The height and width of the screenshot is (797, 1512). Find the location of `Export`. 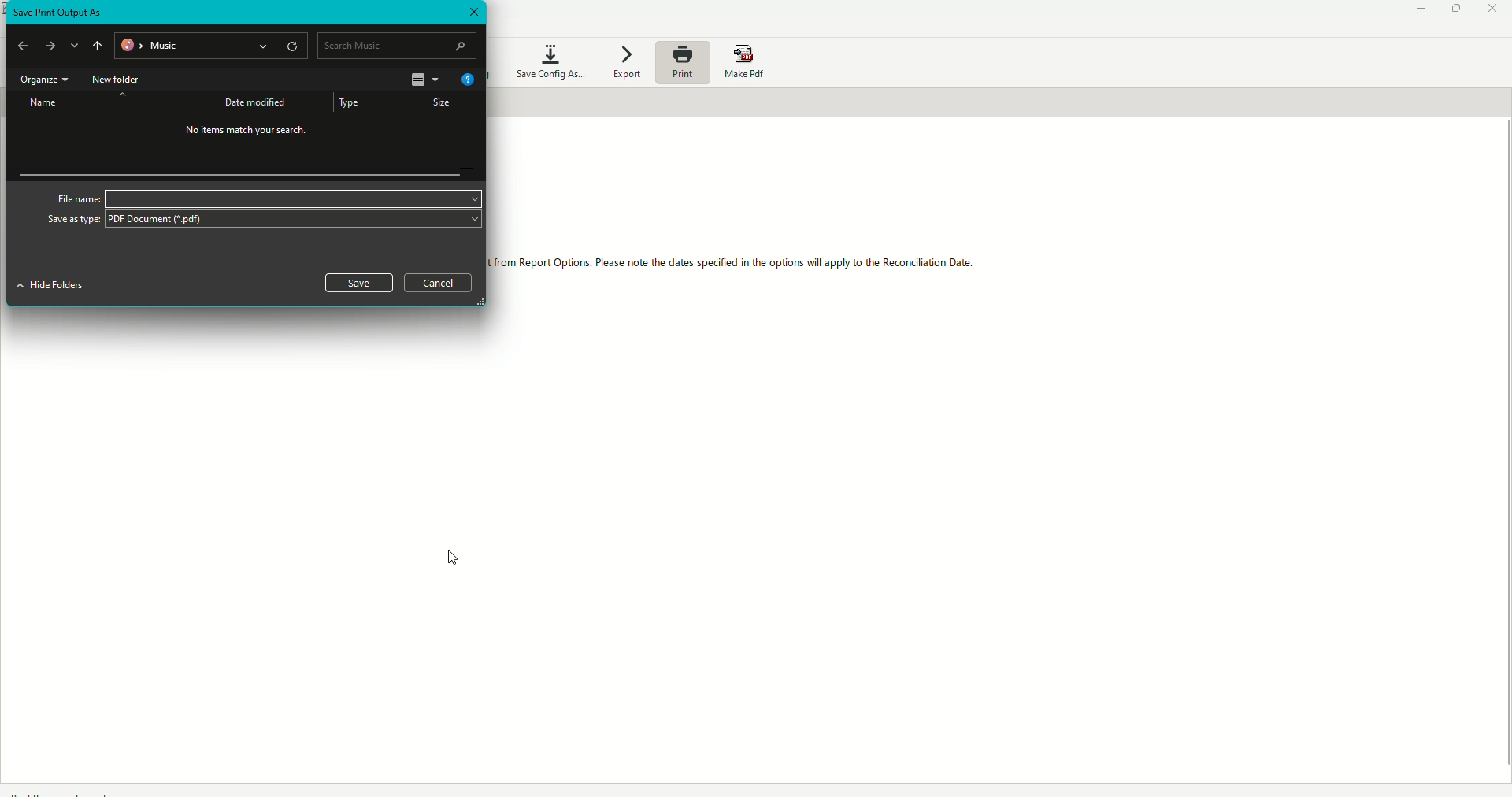

Export is located at coordinates (631, 62).